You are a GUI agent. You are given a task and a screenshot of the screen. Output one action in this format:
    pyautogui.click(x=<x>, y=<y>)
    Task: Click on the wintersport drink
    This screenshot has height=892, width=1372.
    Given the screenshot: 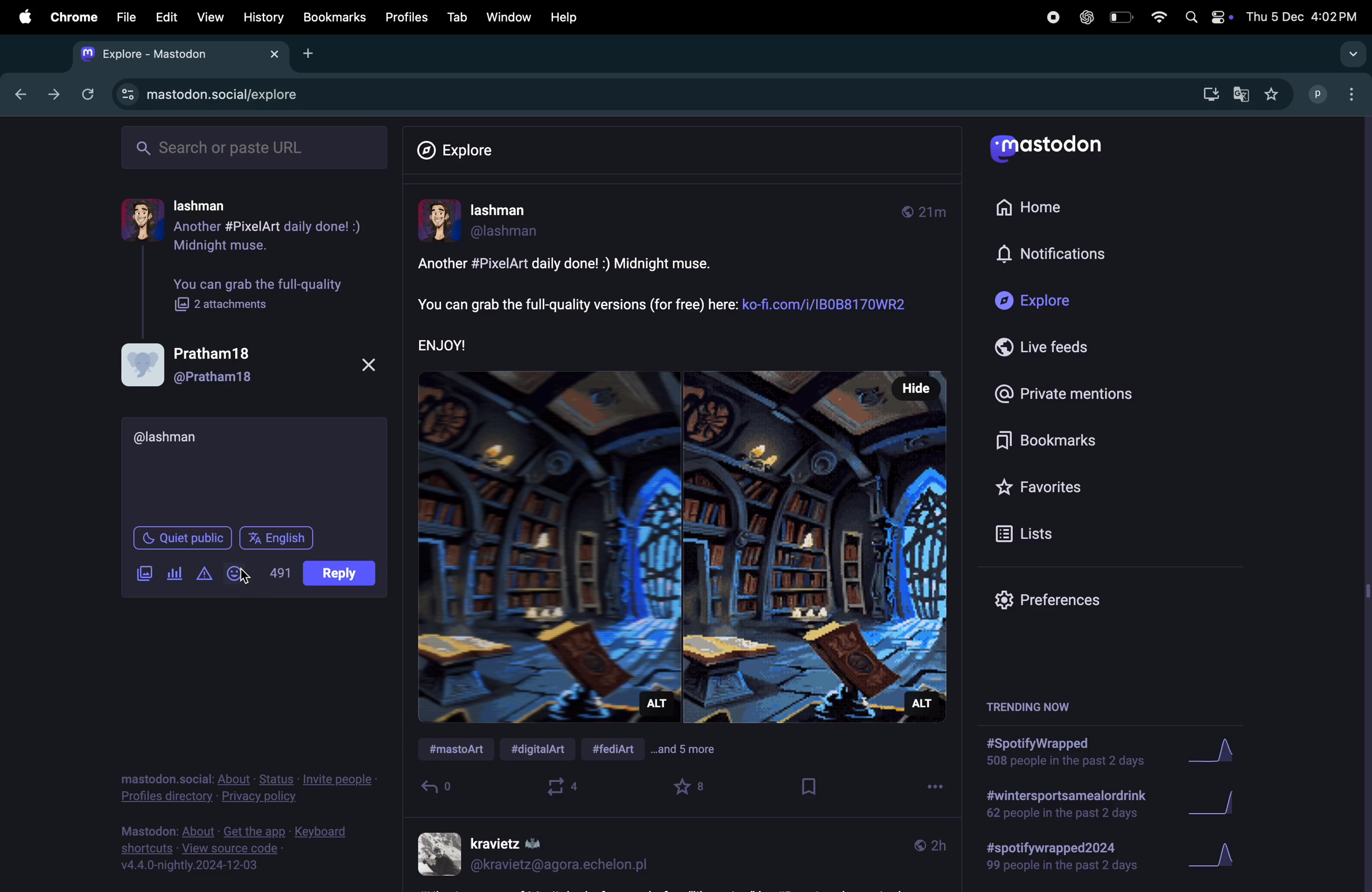 What is the action you would take?
    pyautogui.click(x=1064, y=806)
    